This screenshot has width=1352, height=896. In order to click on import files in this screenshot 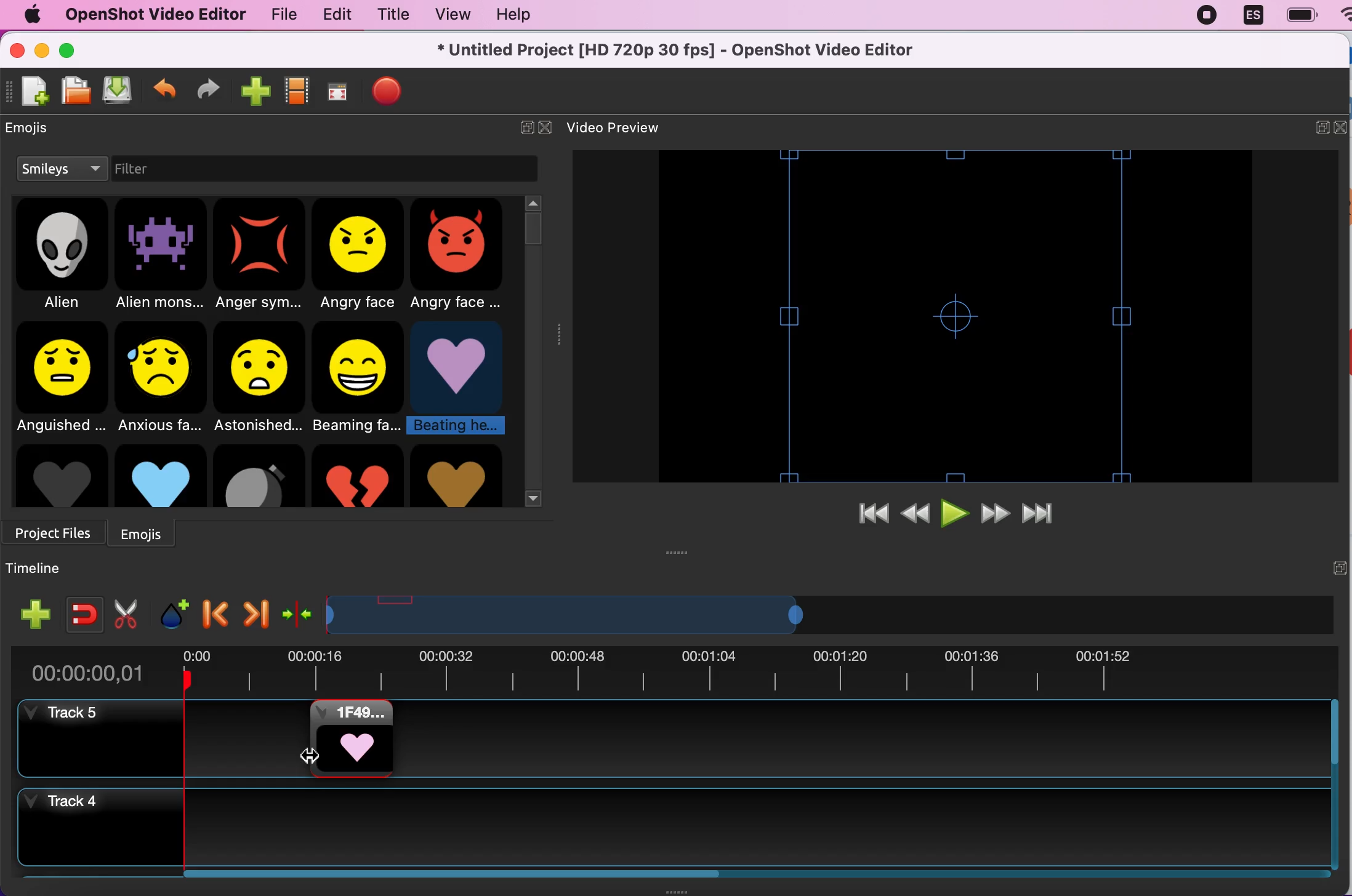, I will do `click(254, 89)`.